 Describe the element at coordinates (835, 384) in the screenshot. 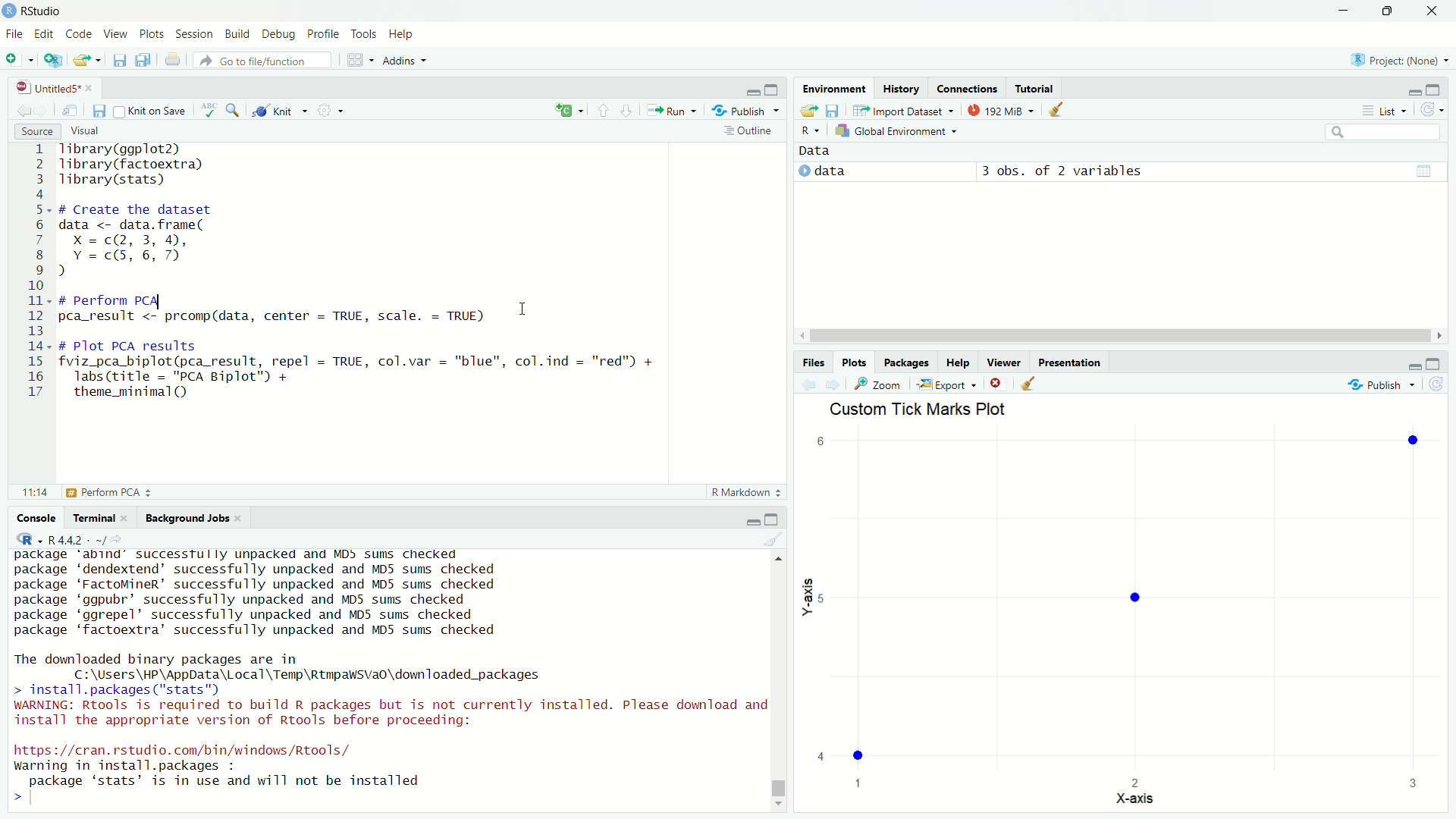

I see `go forward` at that location.